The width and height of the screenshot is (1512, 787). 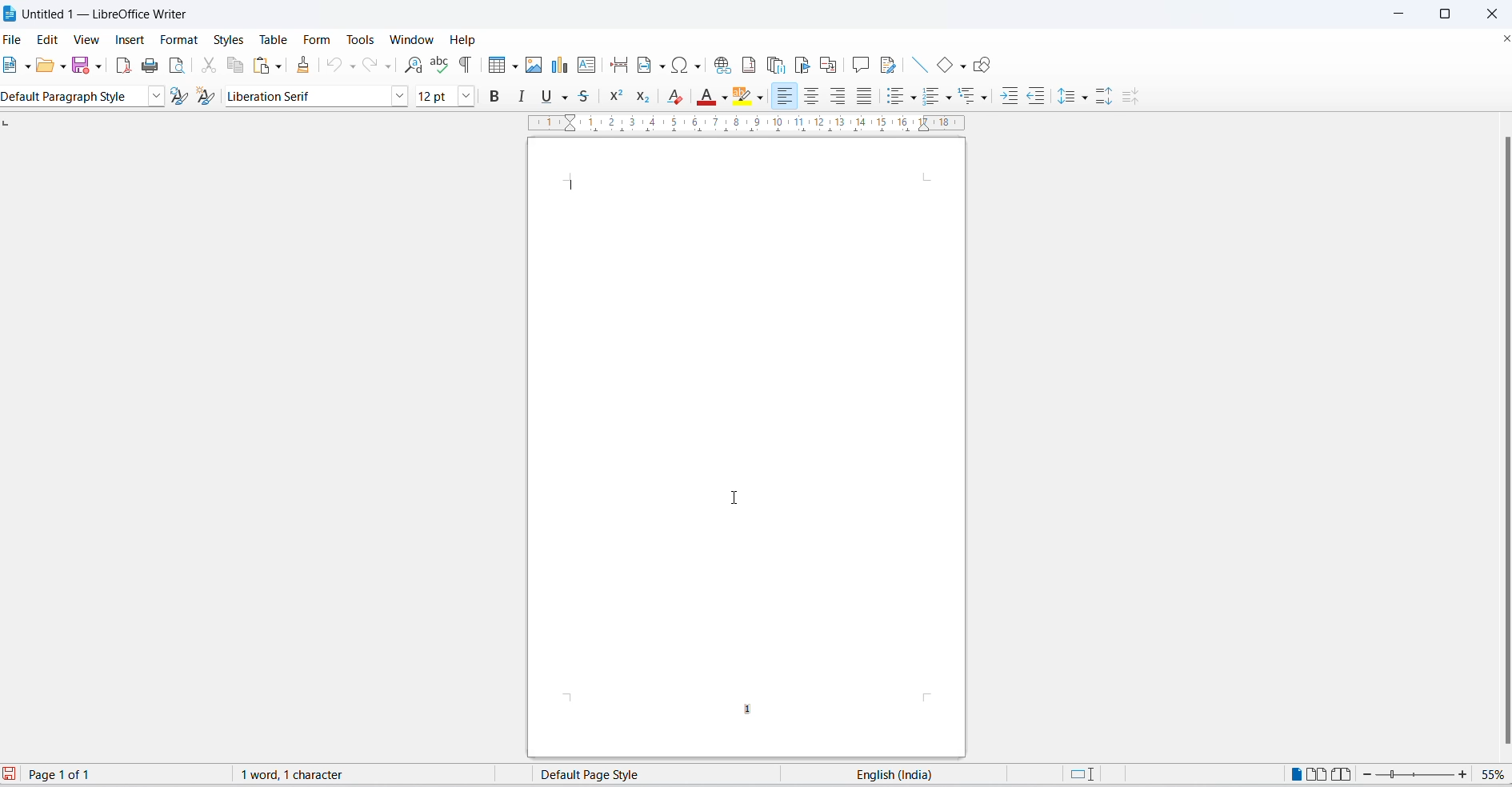 I want to click on spellings, so click(x=440, y=66).